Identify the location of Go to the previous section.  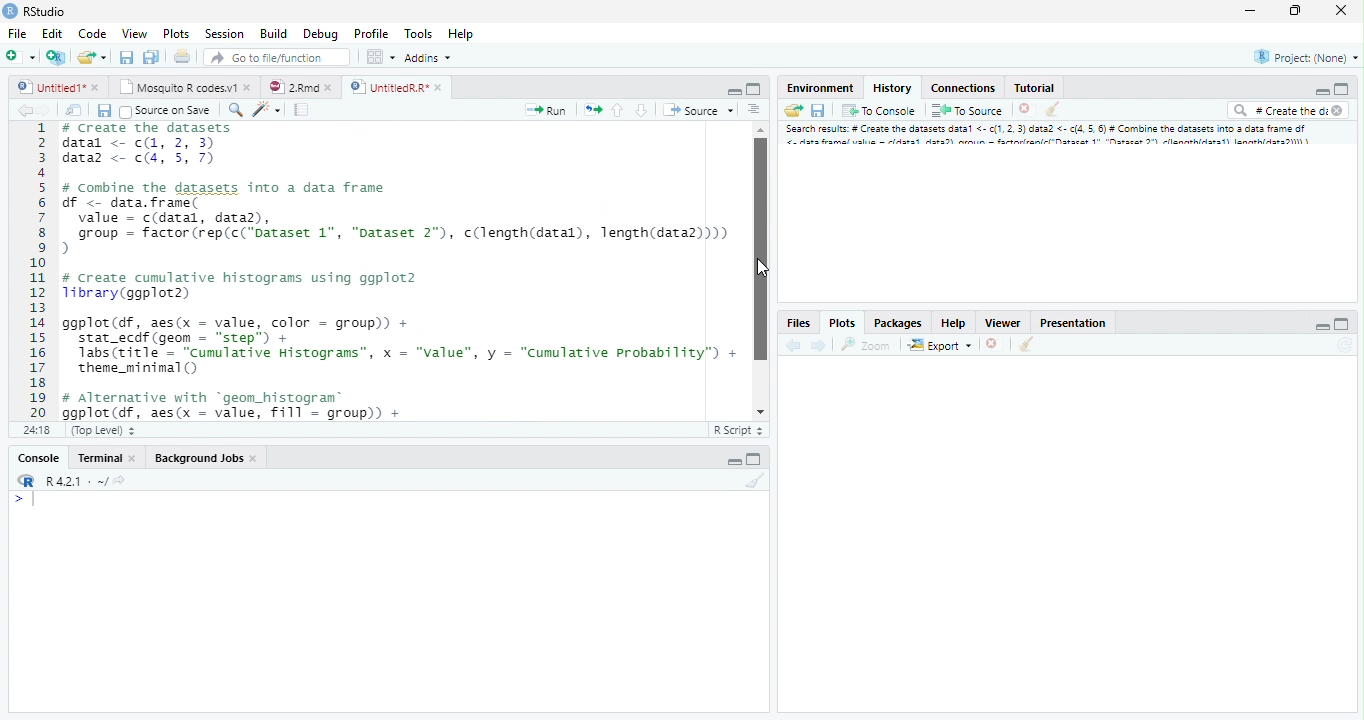
(619, 113).